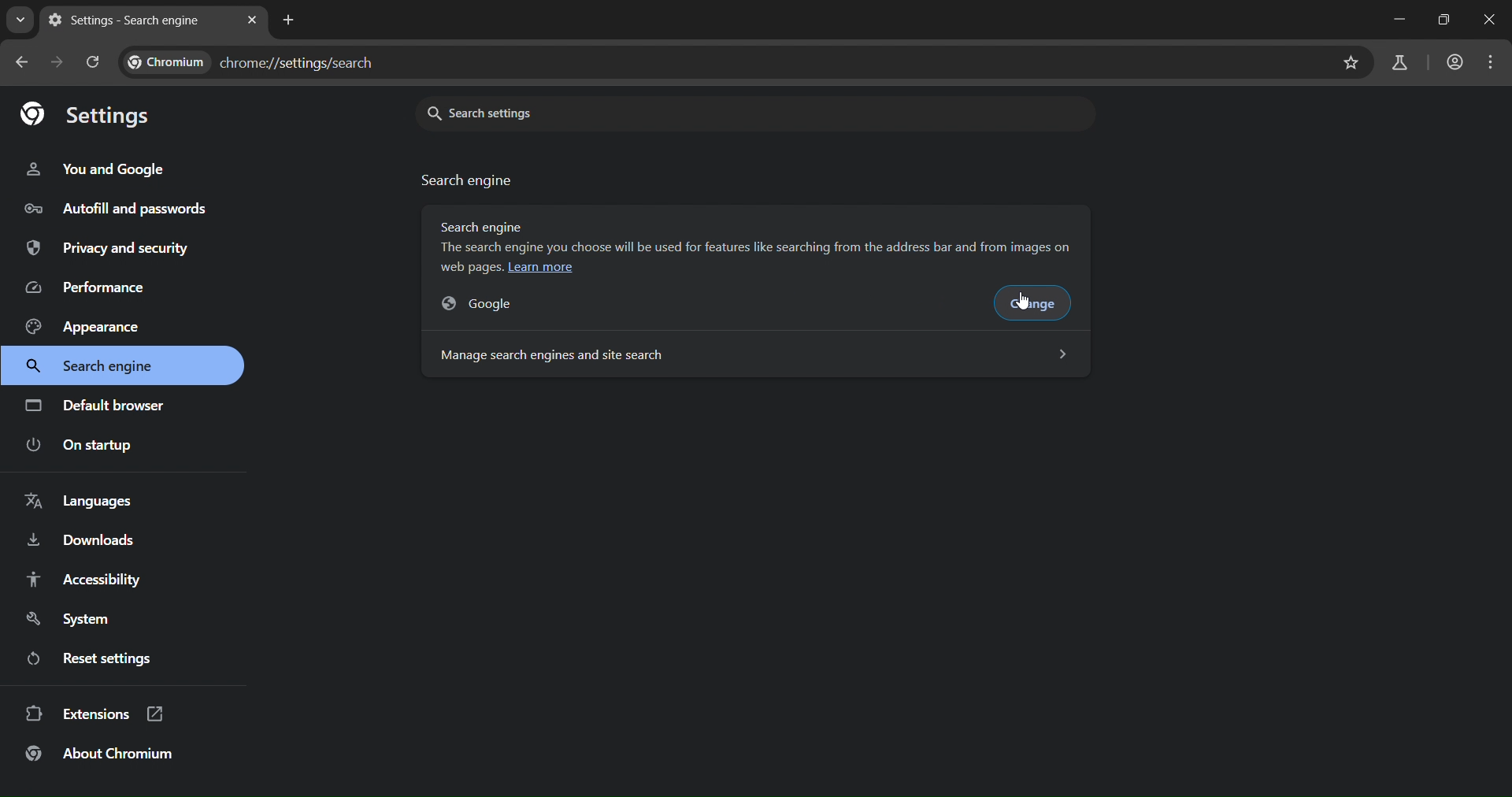 This screenshot has height=797, width=1512. I want to click on manage search engines and site search, so click(753, 354).